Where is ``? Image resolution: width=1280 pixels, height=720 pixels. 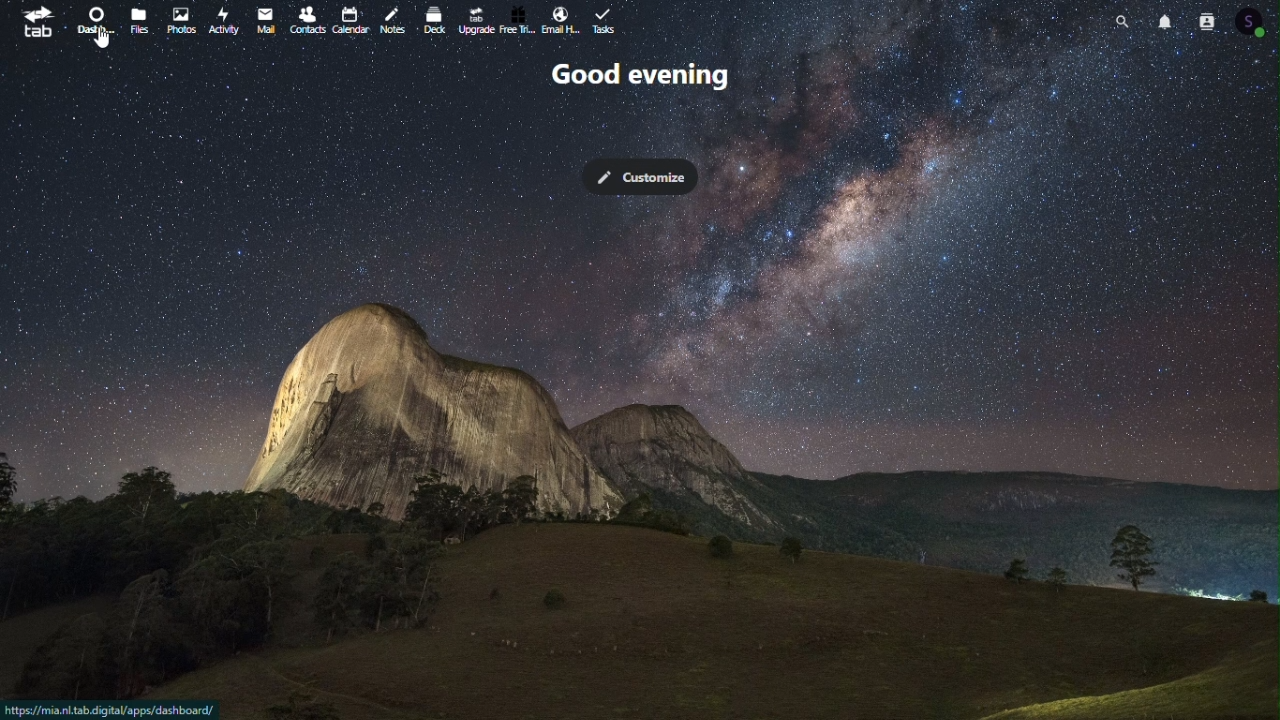  is located at coordinates (101, 38).